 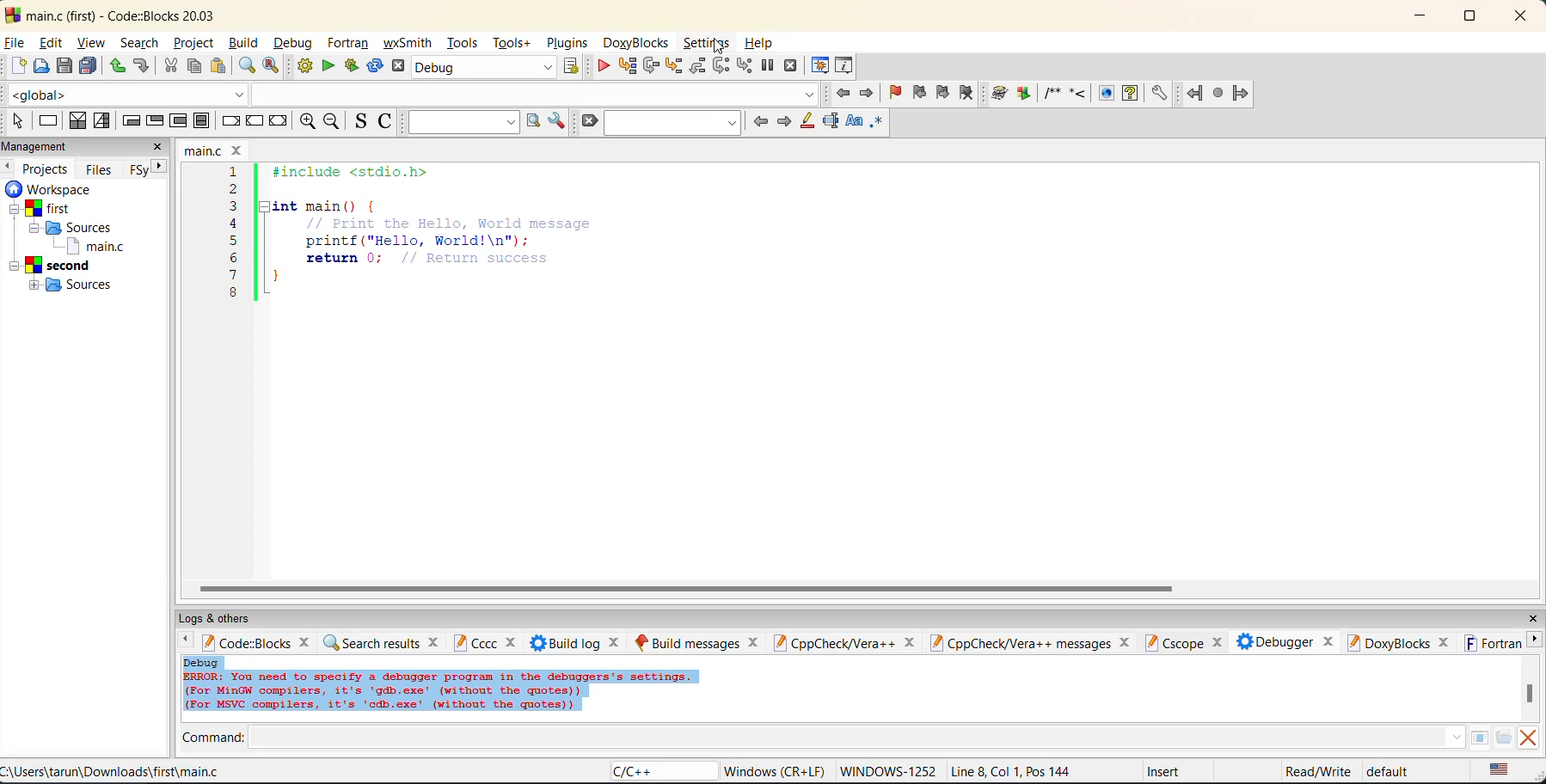 What do you see at coordinates (305, 67) in the screenshot?
I see `build` at bounding box center [305, 67].